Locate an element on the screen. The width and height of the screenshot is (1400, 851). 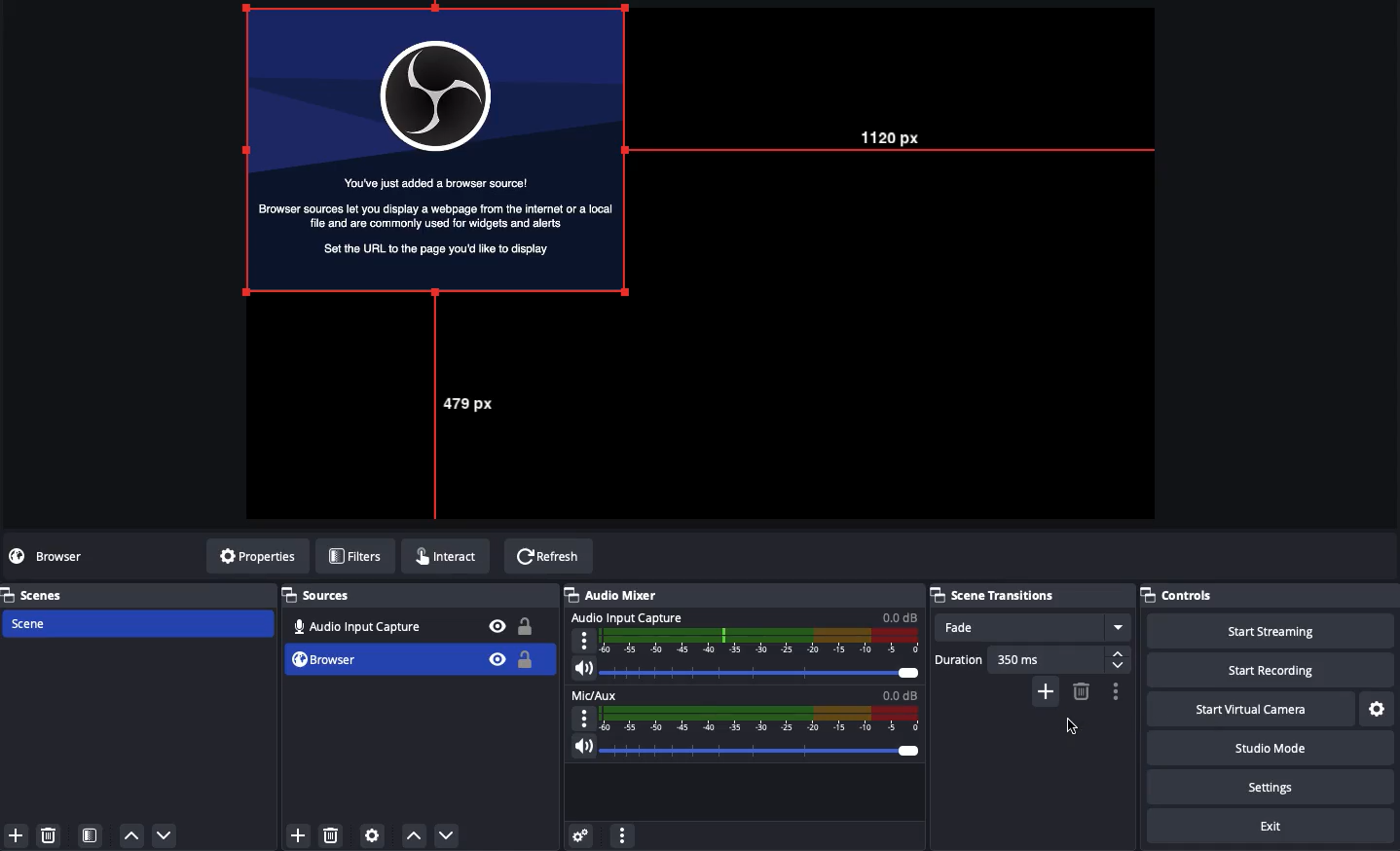
Add is located at coordinates (16, 834).